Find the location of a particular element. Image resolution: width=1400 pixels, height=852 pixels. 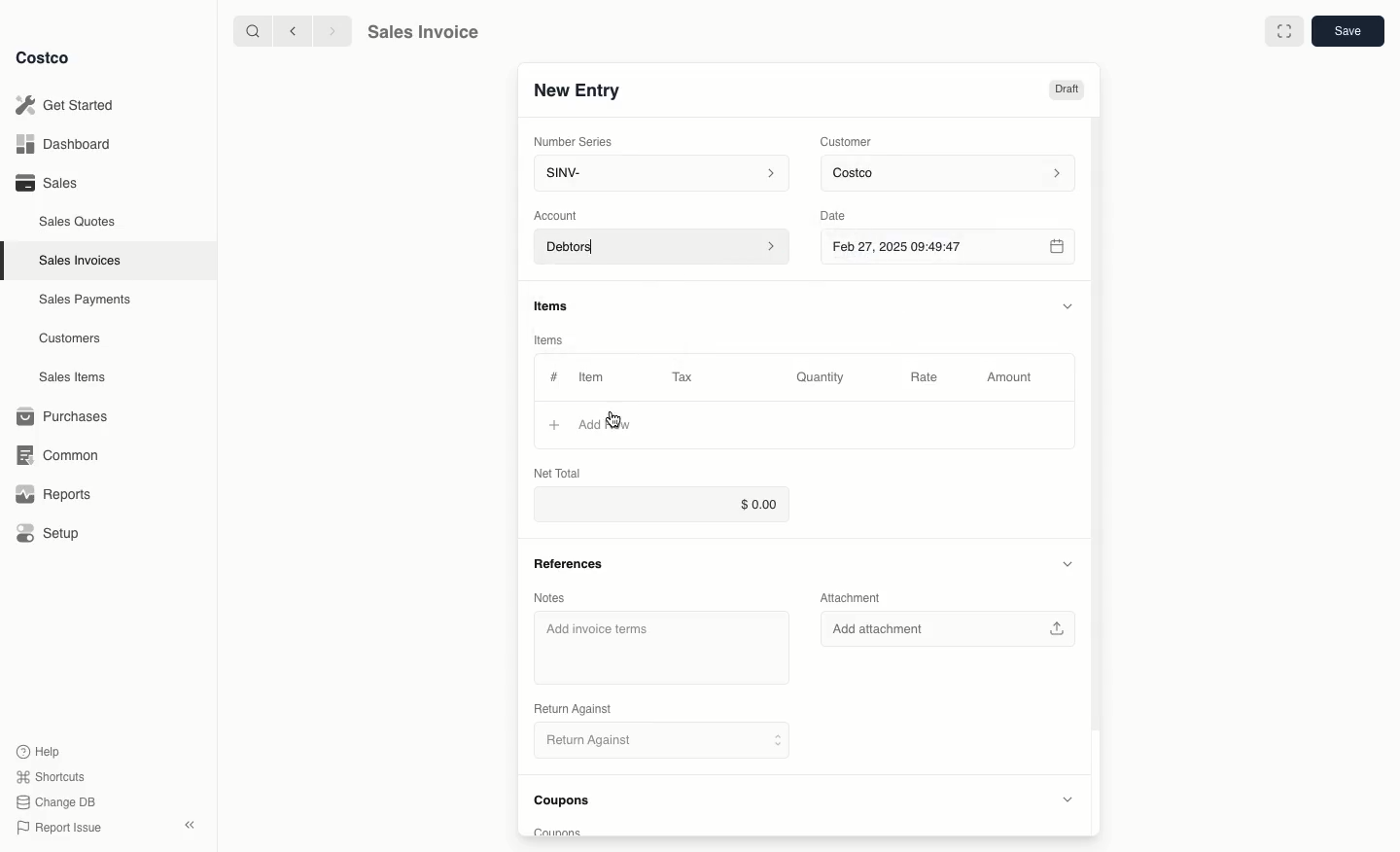

‘Add invoice terms is located at coordinates (601, 630).